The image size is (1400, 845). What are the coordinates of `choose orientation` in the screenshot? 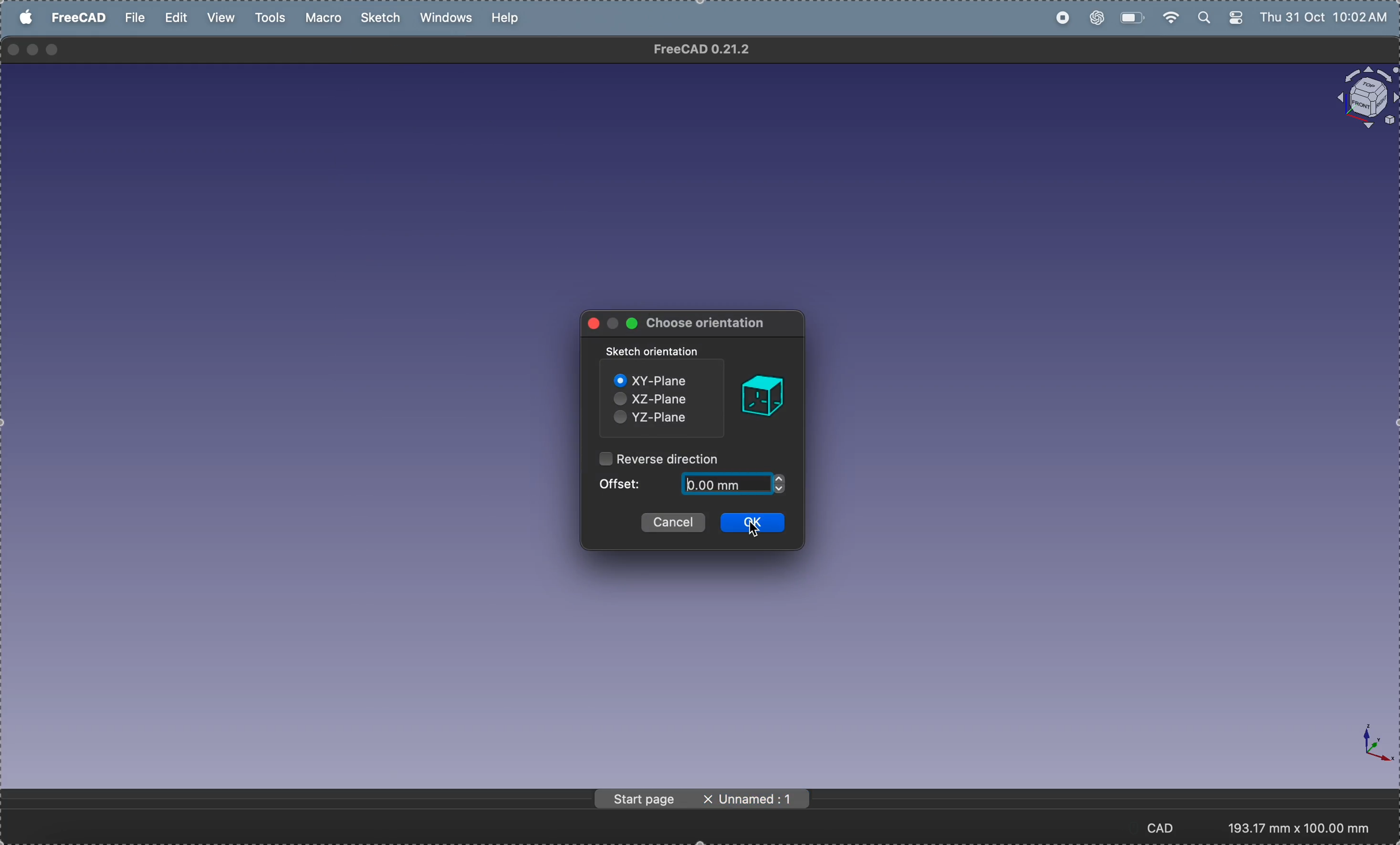 It's located at (708, 324).